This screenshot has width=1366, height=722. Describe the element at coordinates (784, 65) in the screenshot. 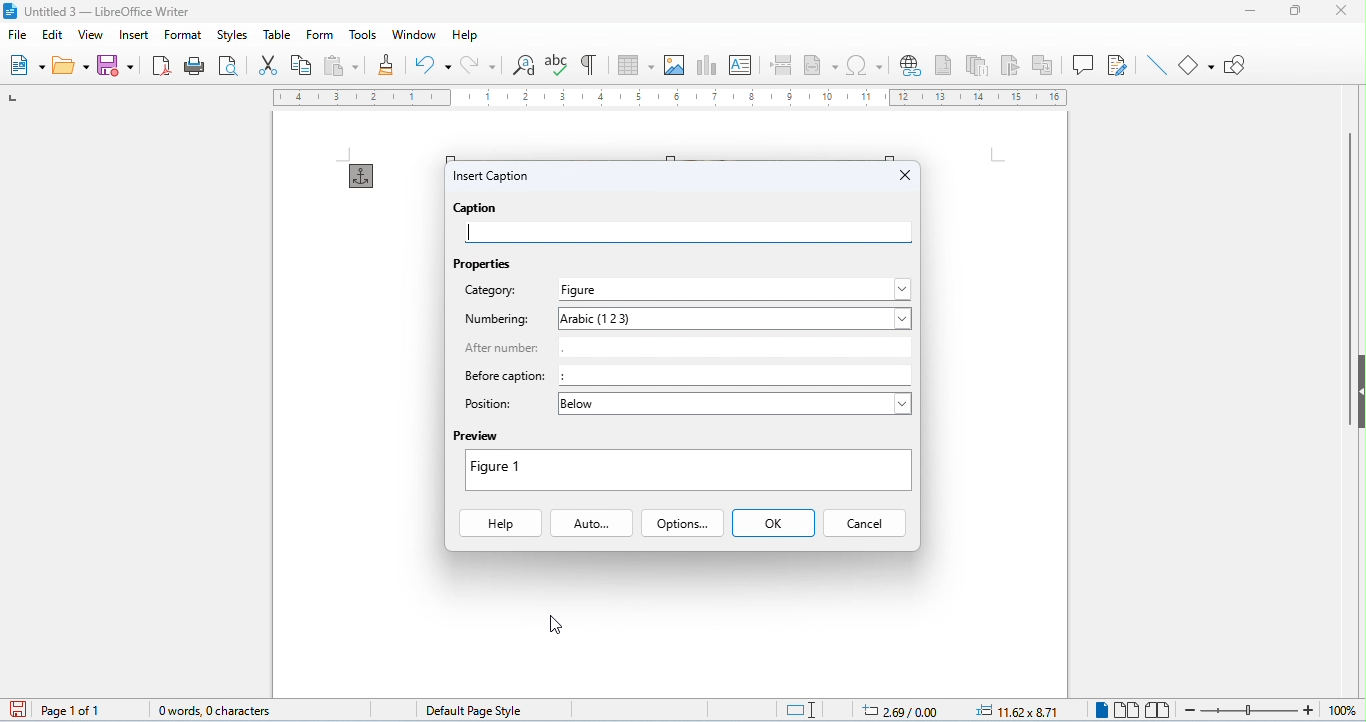

I see `page break` at that location.